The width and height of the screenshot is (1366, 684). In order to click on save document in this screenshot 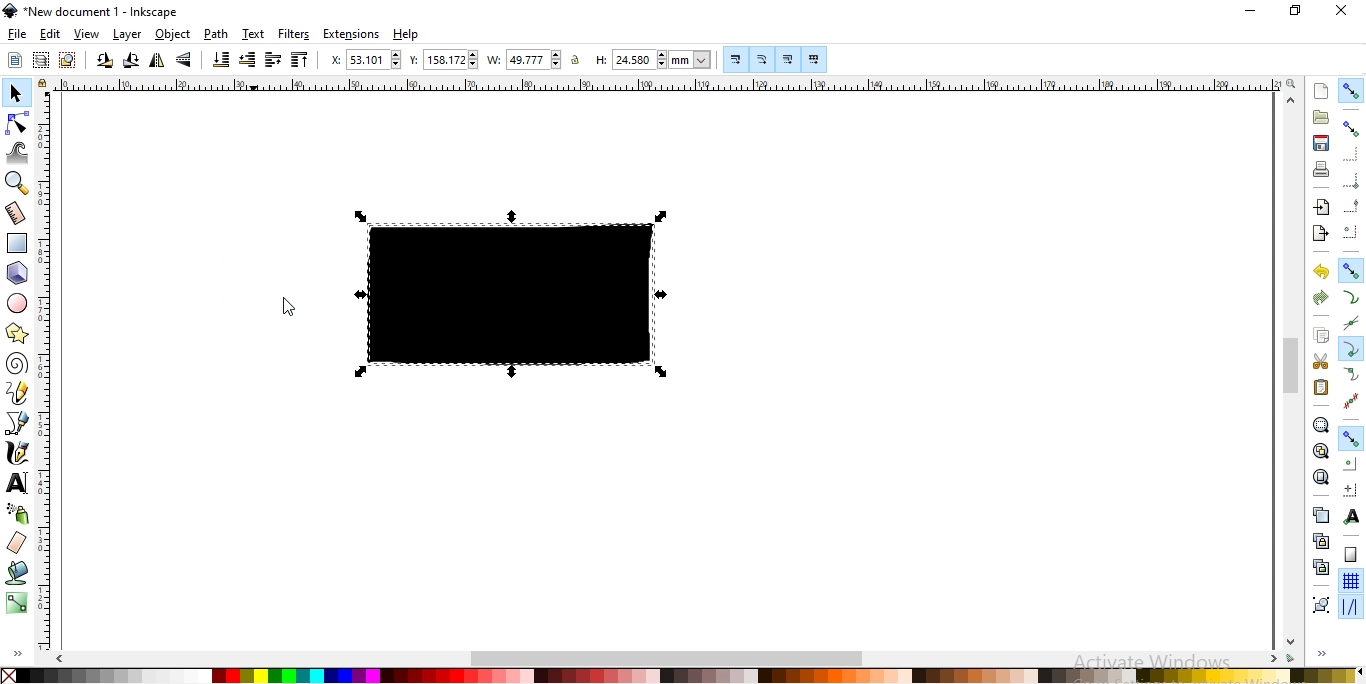, I will do `click(1320, 144)`.